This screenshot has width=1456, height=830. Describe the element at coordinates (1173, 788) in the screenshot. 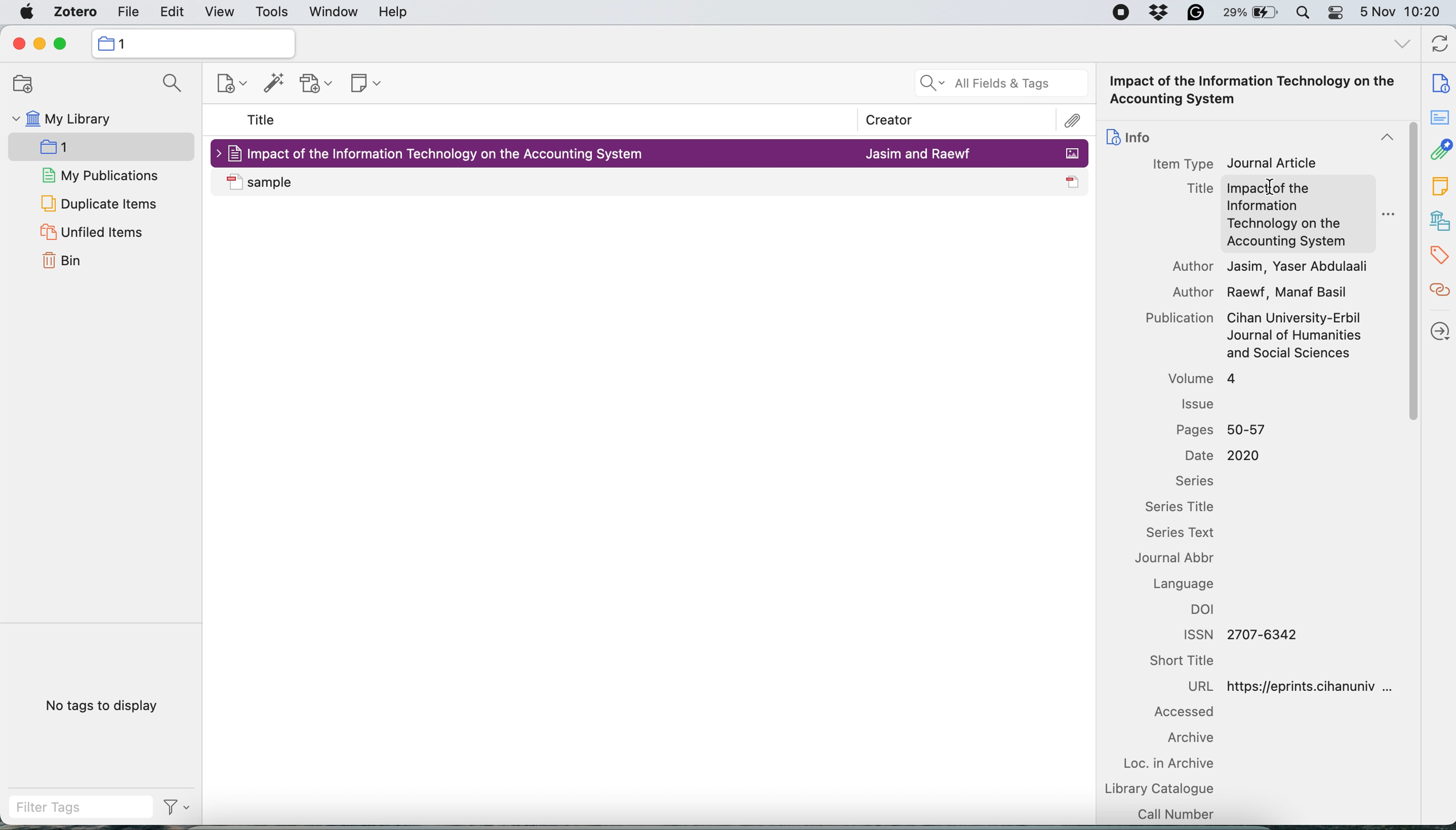

I see `library catalogue` at that location.